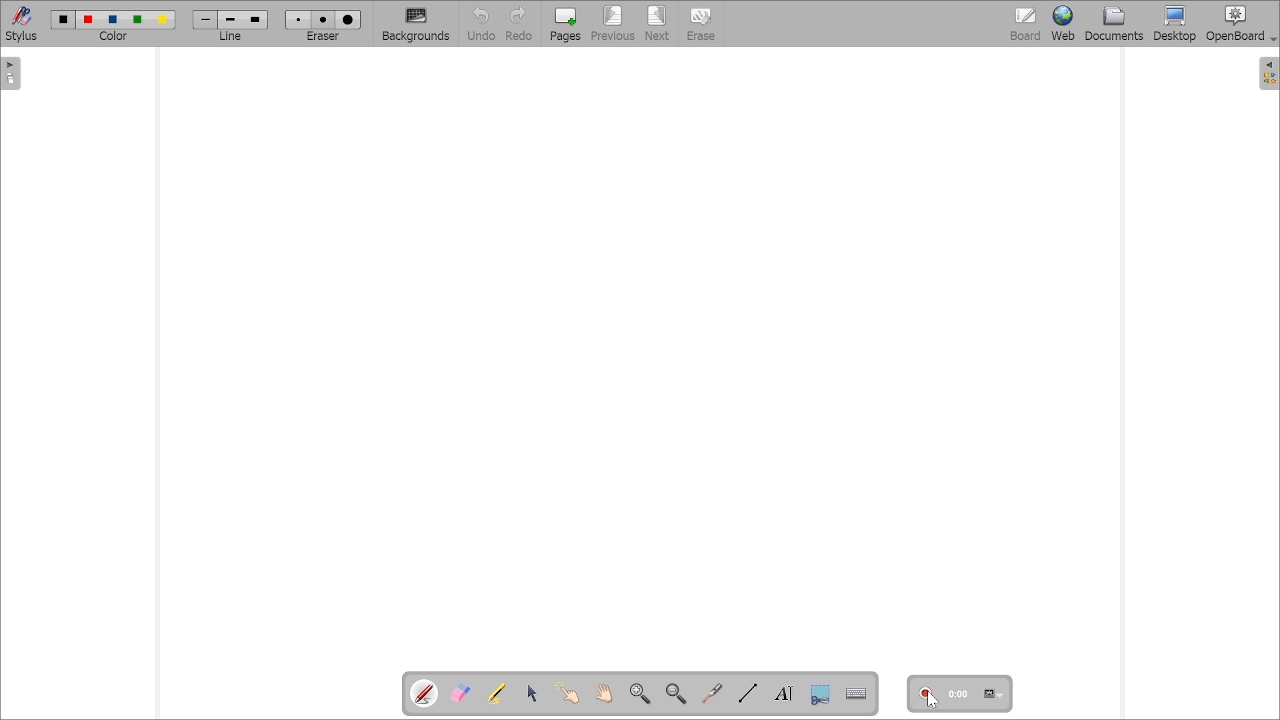 The height and width of the screenshot is (720, 1280). Describe the element at coordinates (961, 695) in the screenshot. I see `0:00` at that location.